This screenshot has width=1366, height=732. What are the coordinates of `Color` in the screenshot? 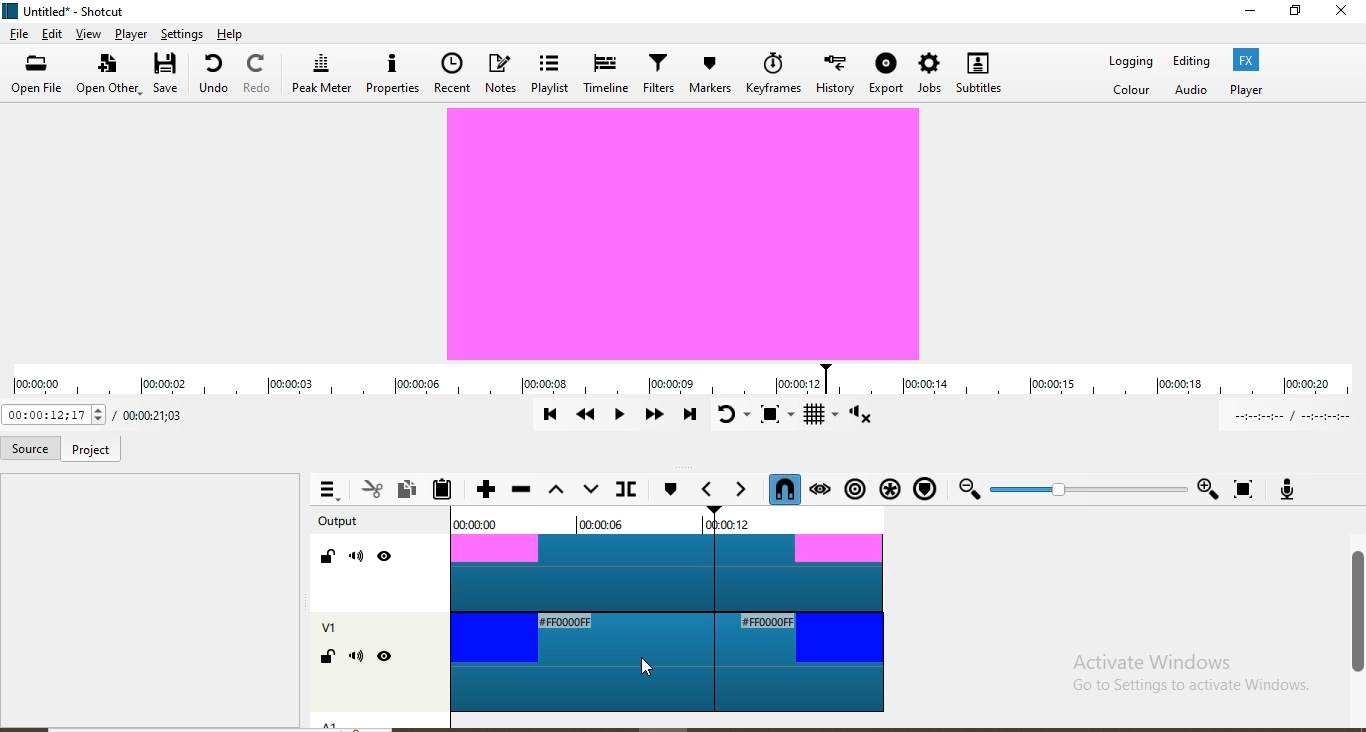 It's located at (1130, 90).